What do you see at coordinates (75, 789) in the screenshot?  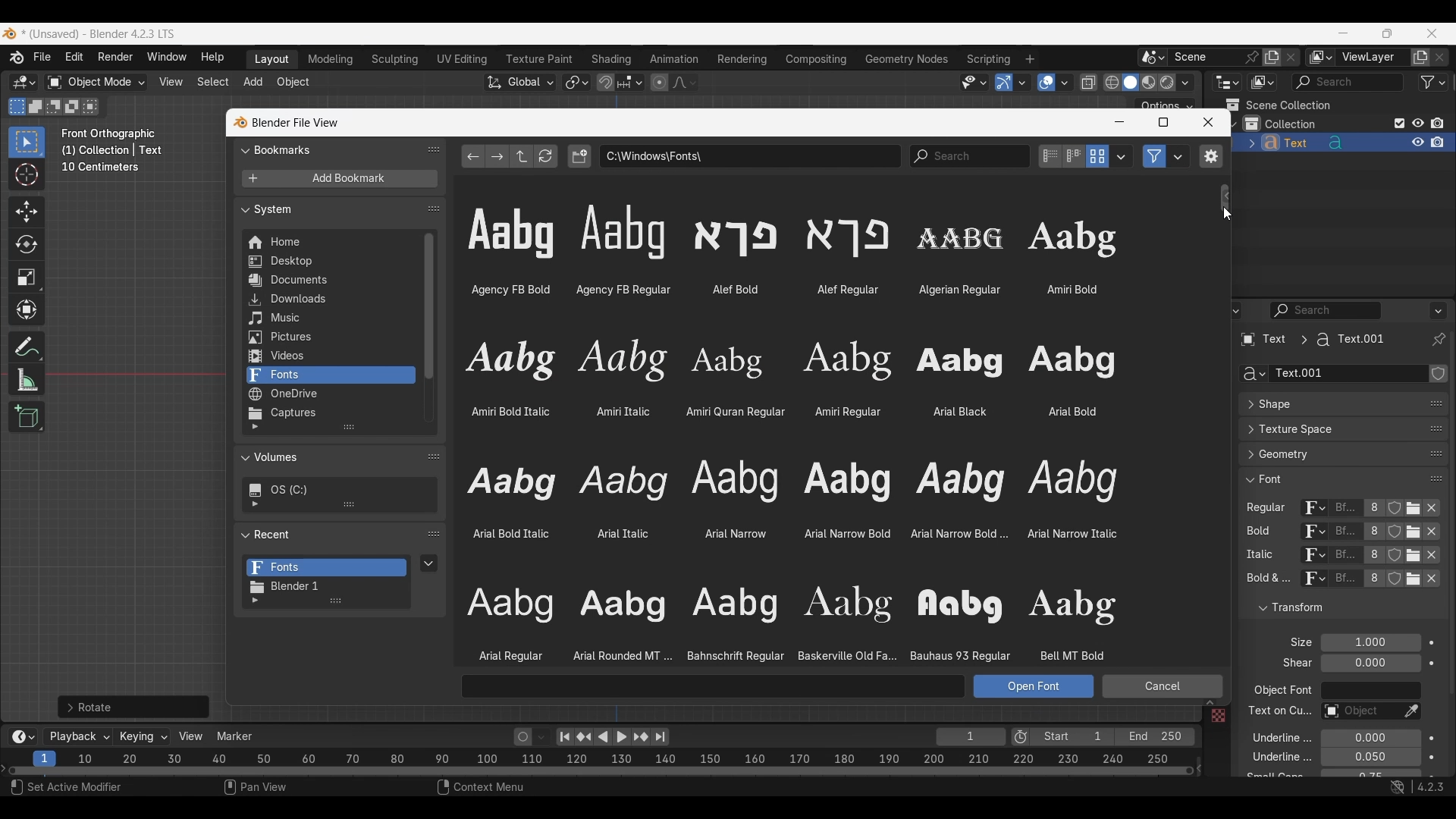 I see `Select` at bounding box center [75, 789].